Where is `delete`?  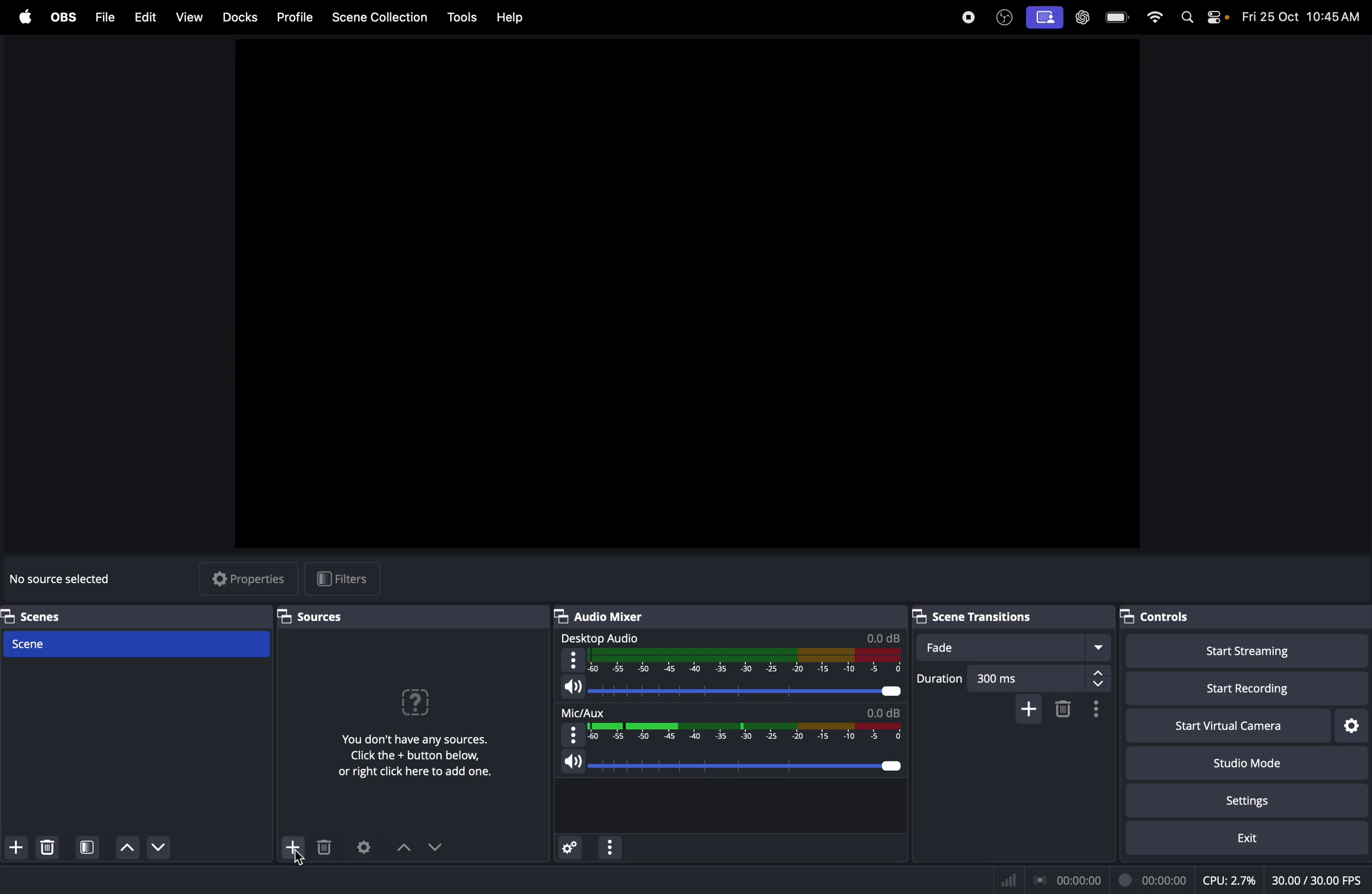 delete is located at coordinates (323, 848).